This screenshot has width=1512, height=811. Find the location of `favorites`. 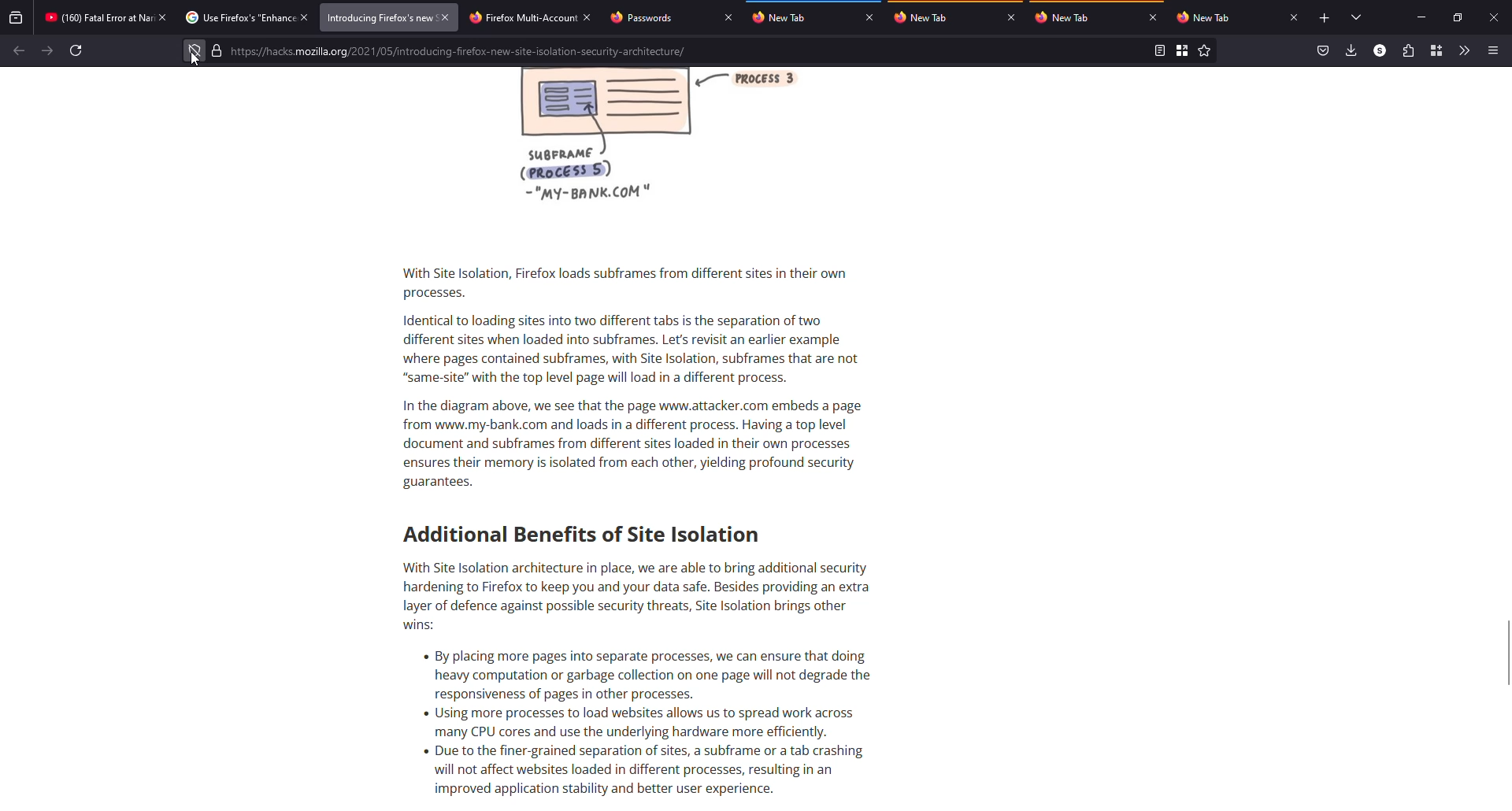

favorites is located at coordinates (1205, 51).